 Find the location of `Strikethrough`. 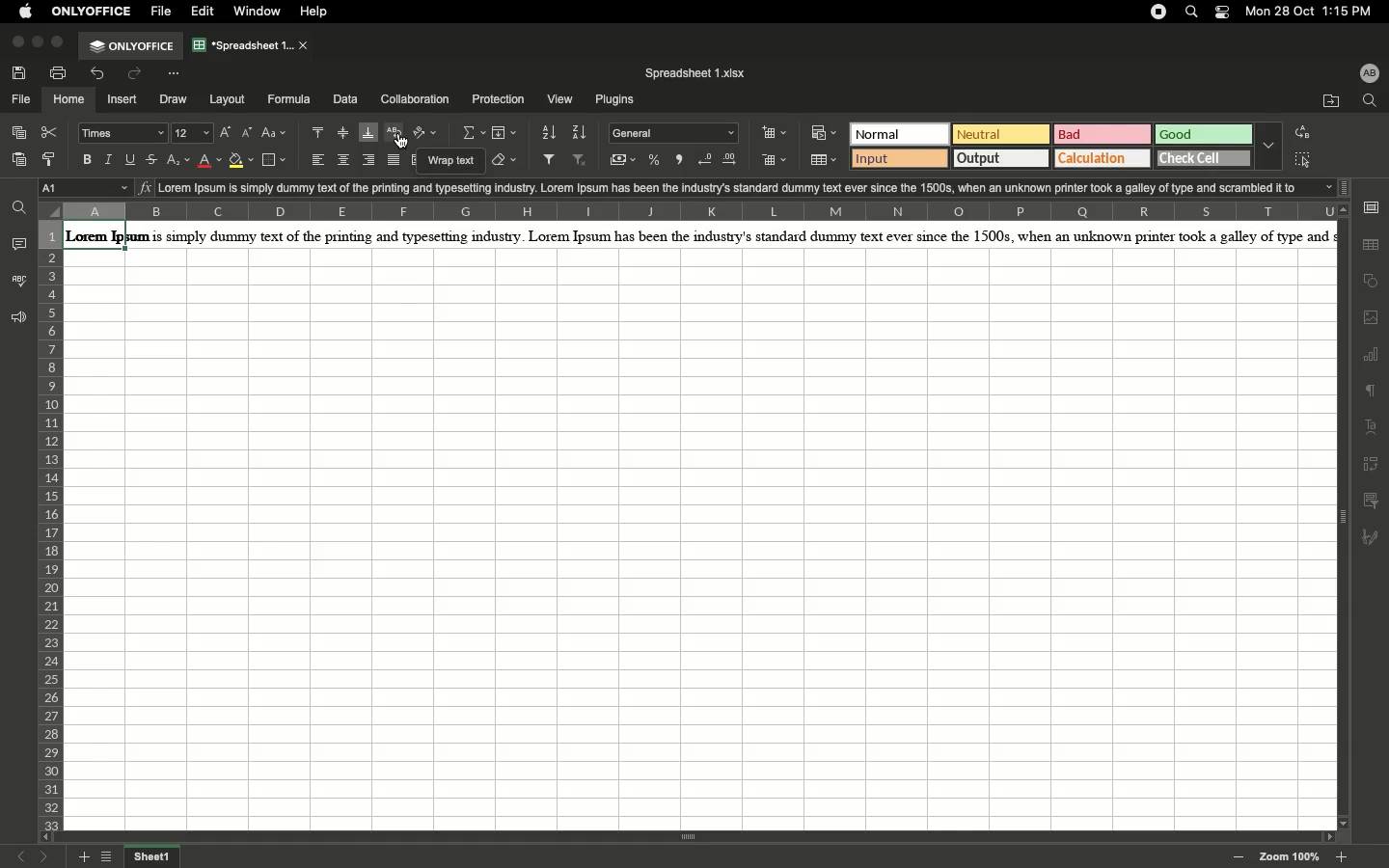

Strikethrough is located at coordinates (155, 158).